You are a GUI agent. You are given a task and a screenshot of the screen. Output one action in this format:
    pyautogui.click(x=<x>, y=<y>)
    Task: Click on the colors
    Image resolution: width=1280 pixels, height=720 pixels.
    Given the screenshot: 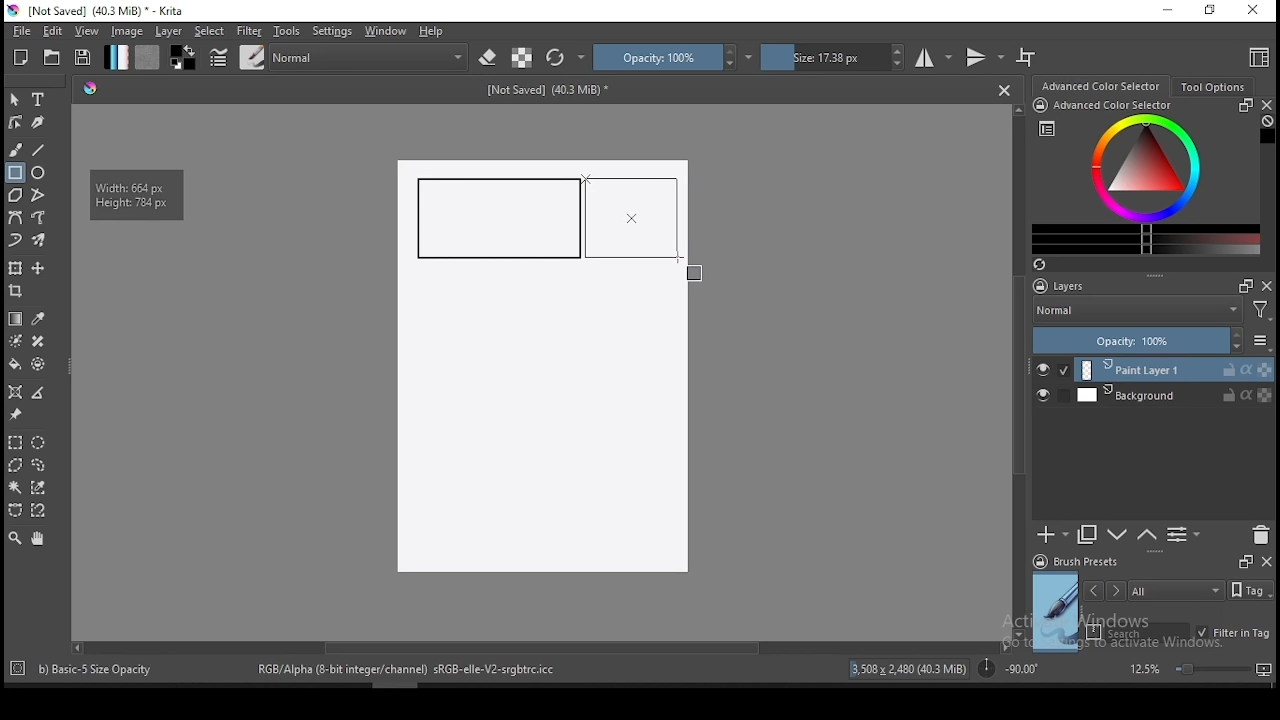 What is the action you would take?
    pyautogui.click(x=183, y=57)
    